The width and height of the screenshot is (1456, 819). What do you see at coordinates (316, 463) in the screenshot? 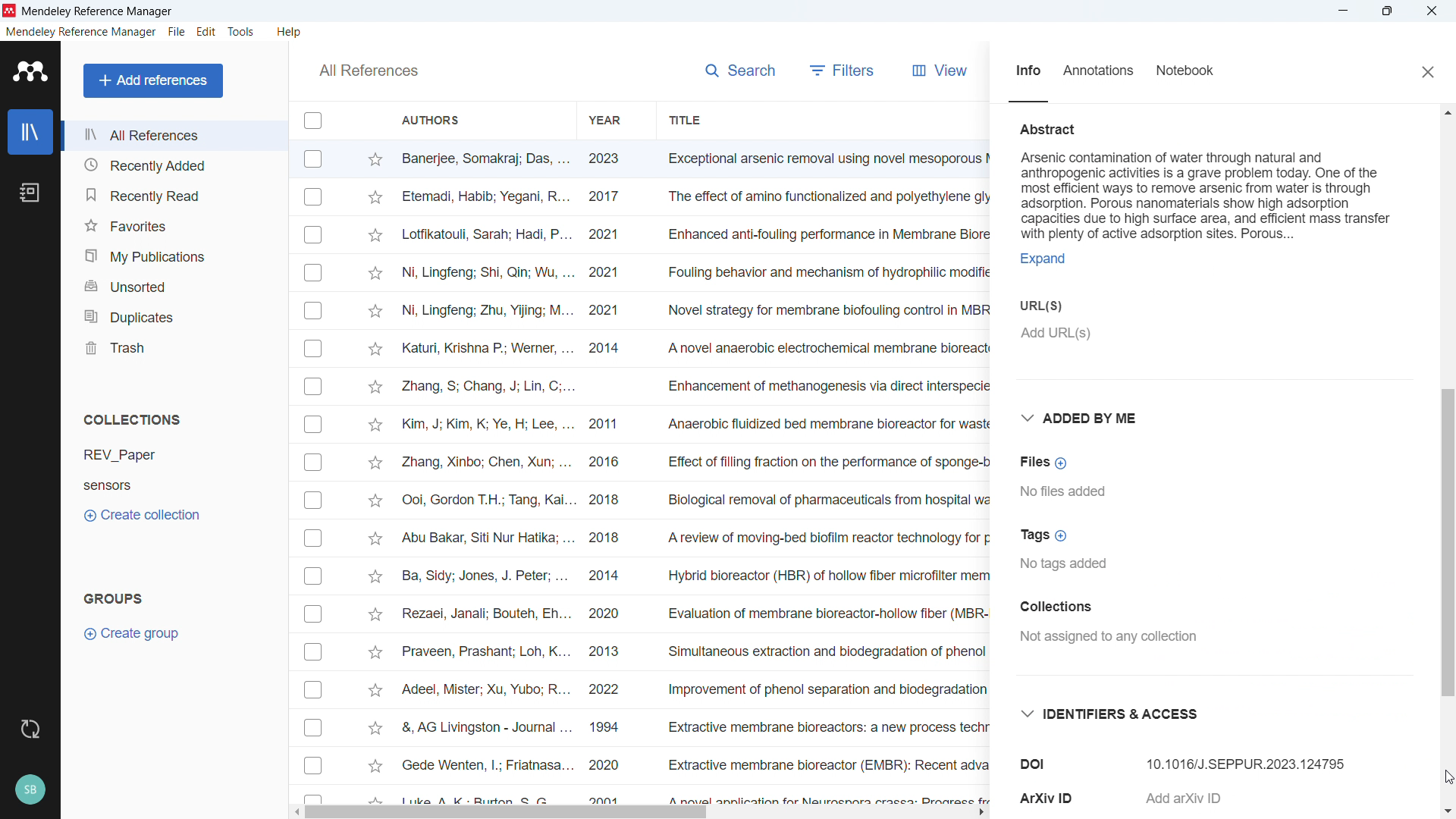
I see `click to select individual entry` at bounding box center [316, 463].